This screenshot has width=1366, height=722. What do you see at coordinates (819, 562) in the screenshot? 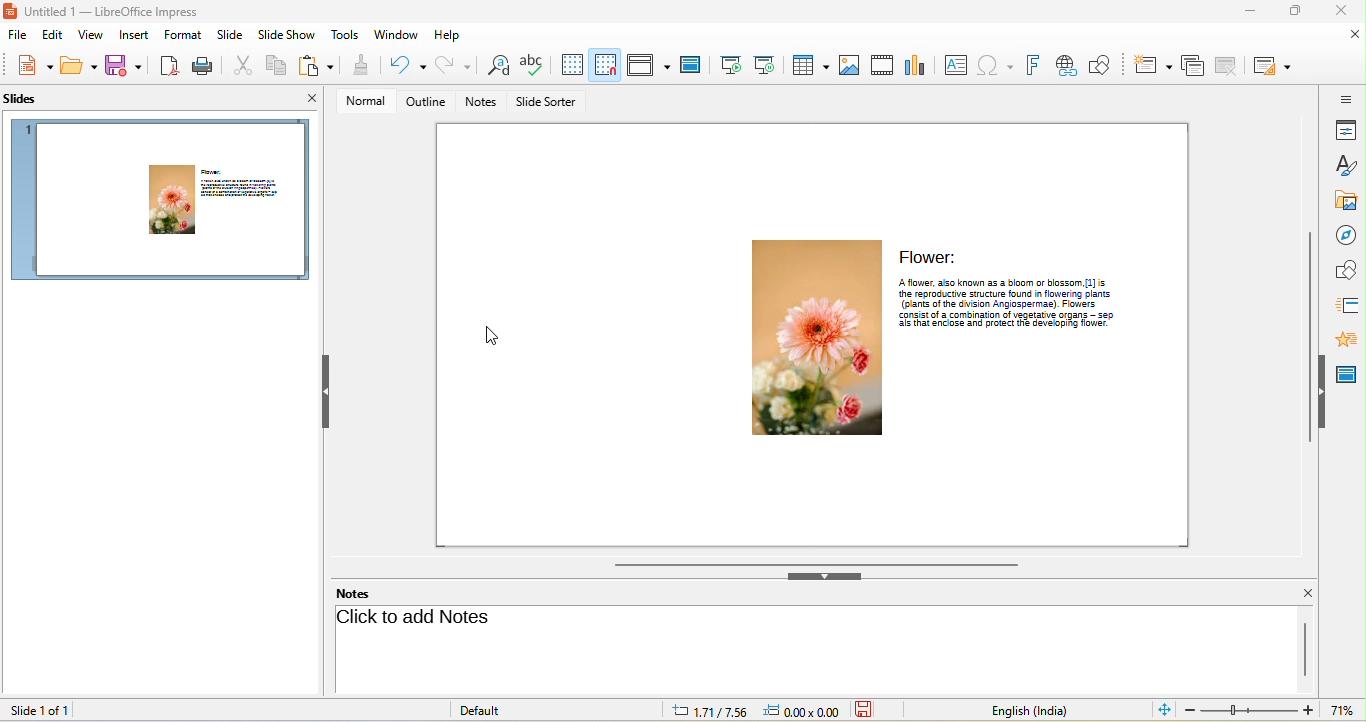
I see `horizontal scroll bar` at bounding box center [819, 562].